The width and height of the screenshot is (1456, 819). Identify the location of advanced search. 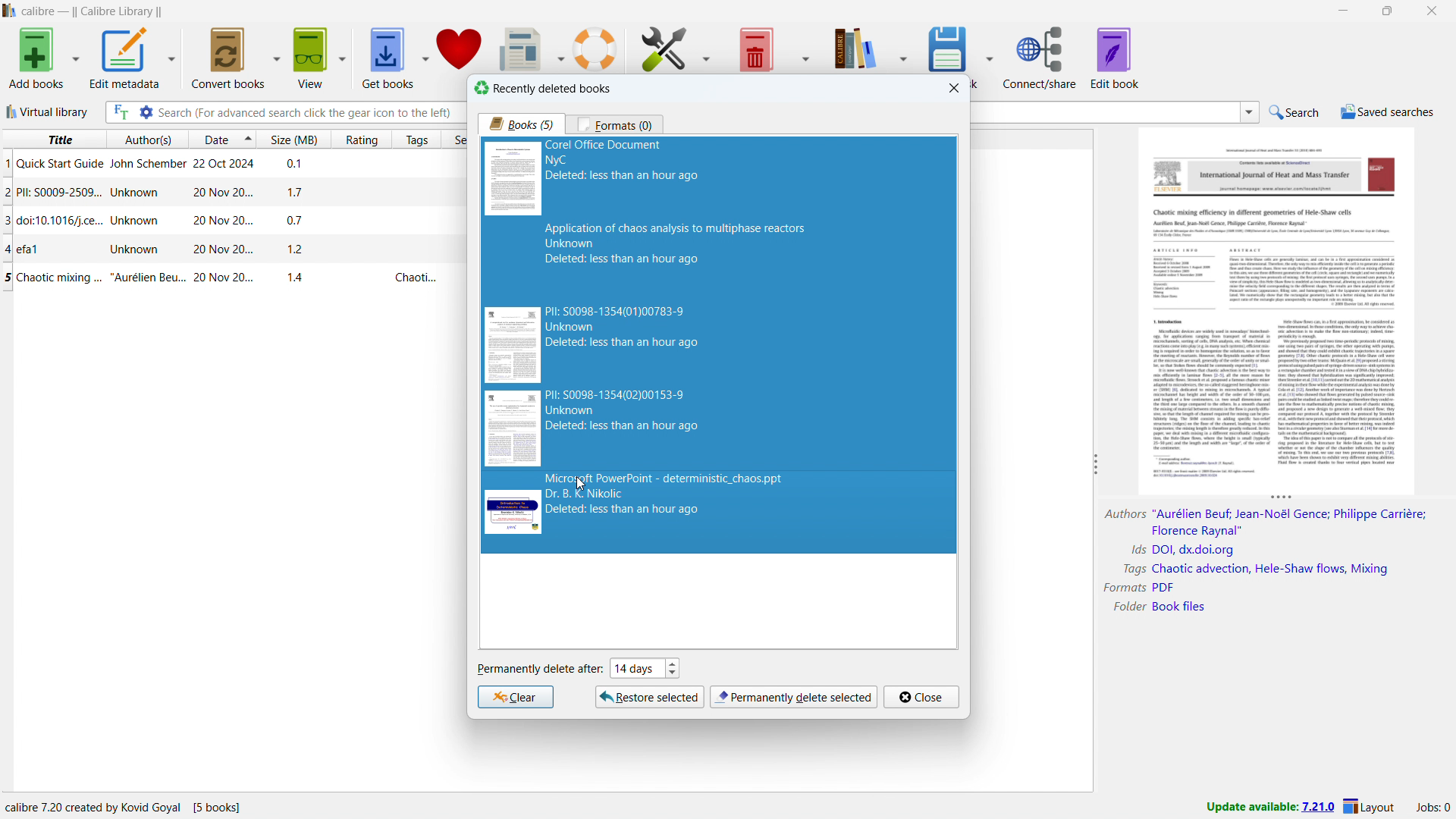
(146, 112).